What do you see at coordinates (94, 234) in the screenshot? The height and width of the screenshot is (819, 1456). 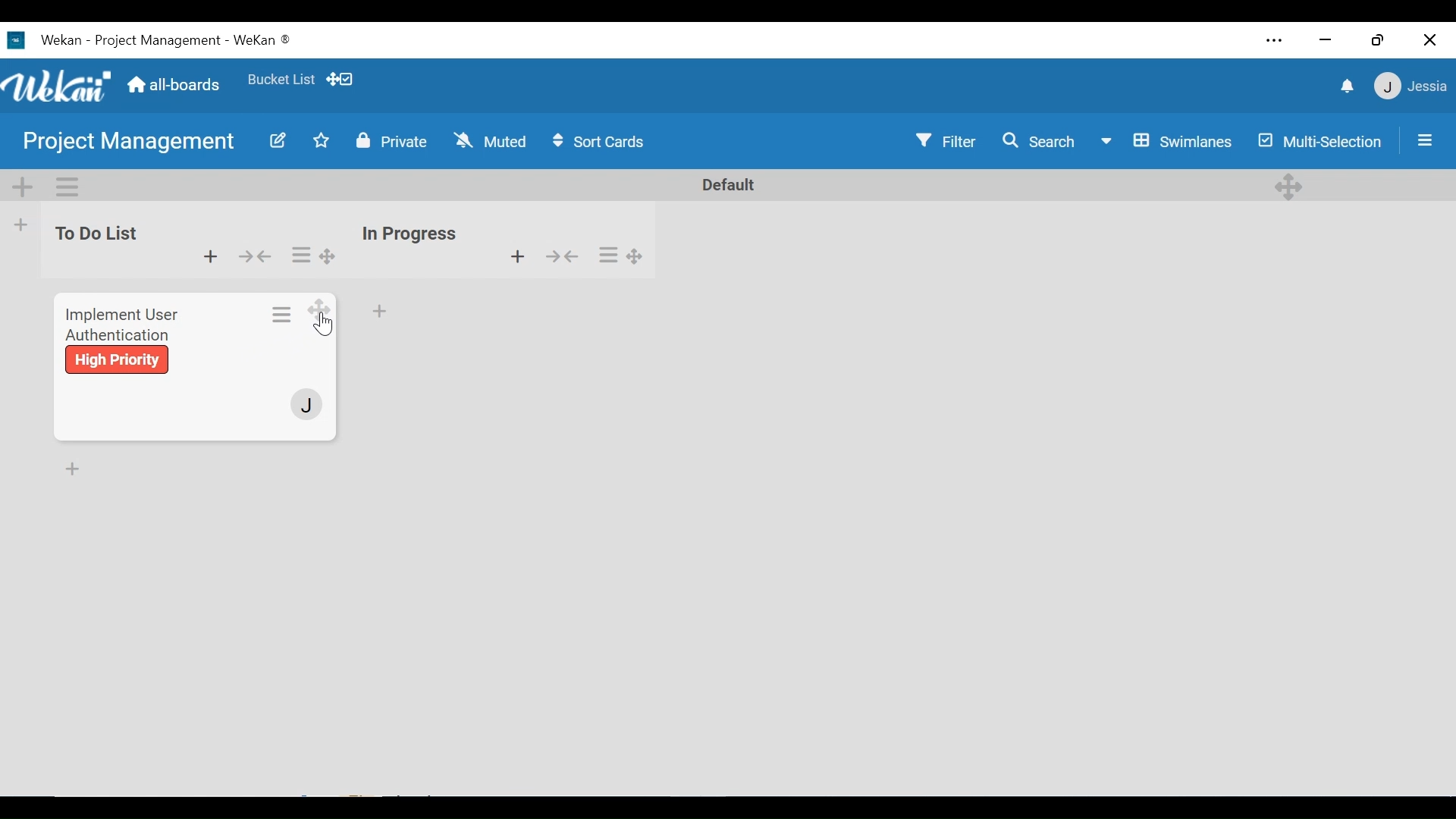 I see `To Do List` at bounding box center [94, 234].